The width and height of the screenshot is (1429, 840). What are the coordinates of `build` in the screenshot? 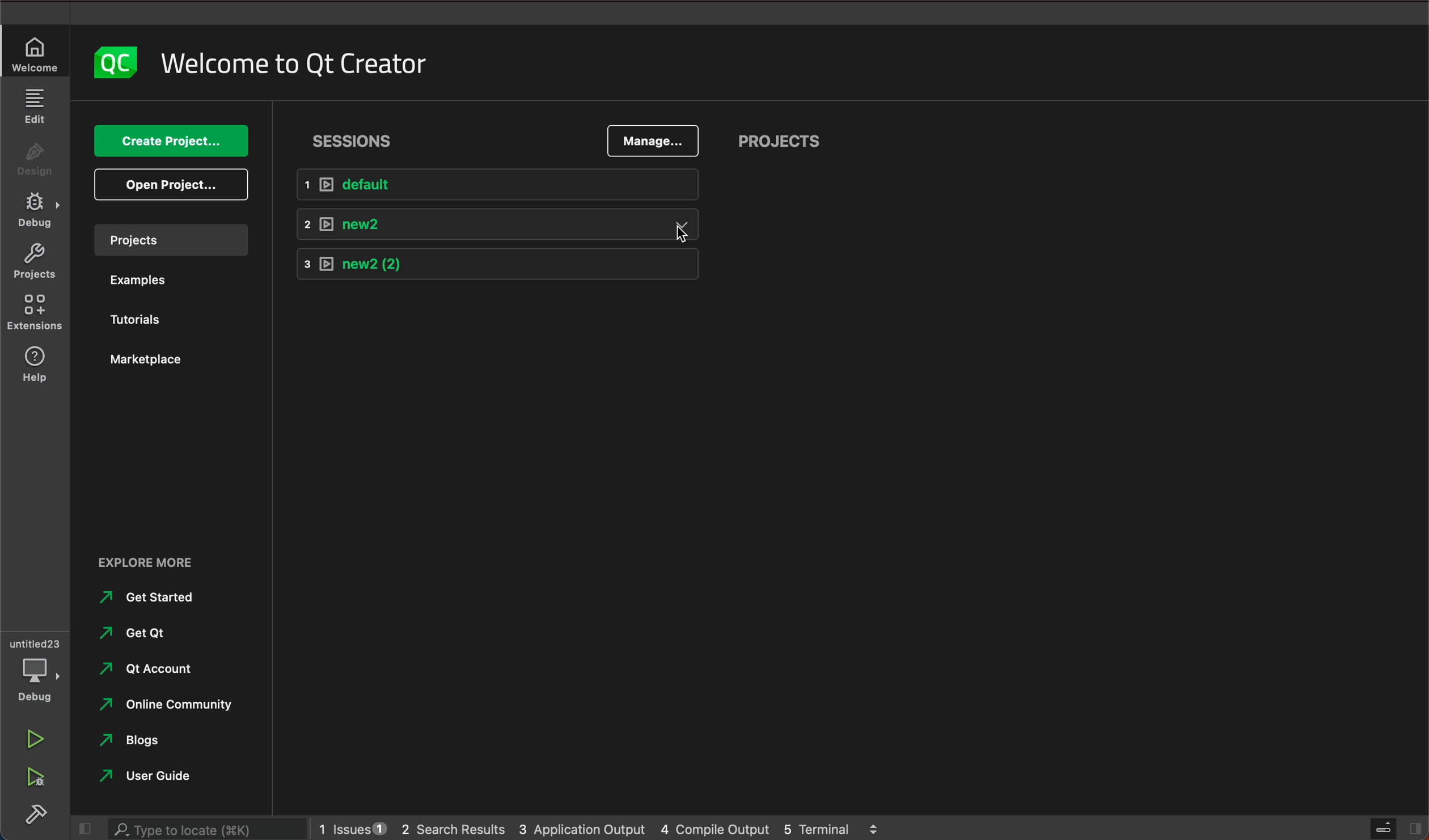 It's located at (38, 812).